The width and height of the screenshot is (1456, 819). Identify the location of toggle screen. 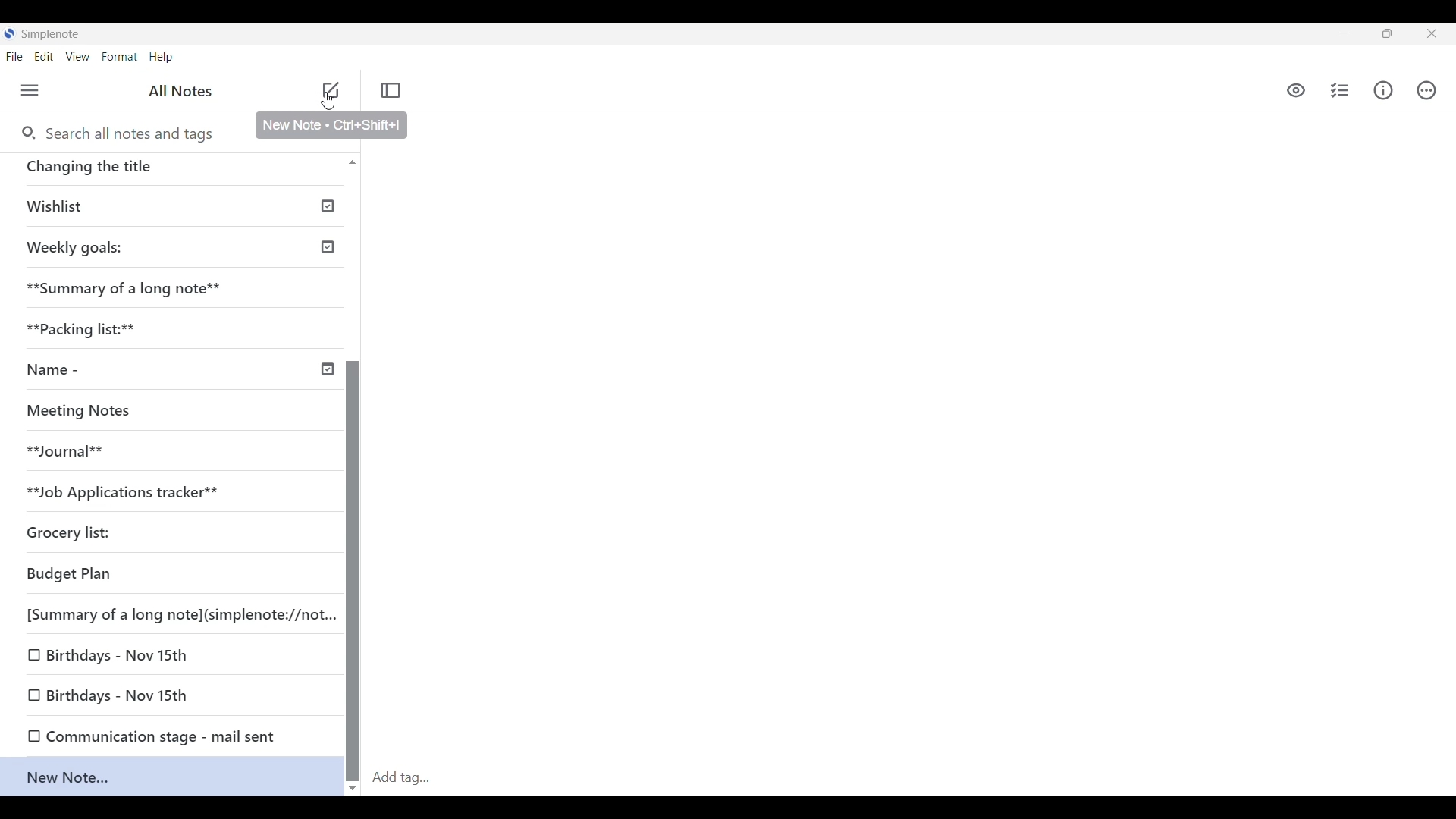
(1387, 33).